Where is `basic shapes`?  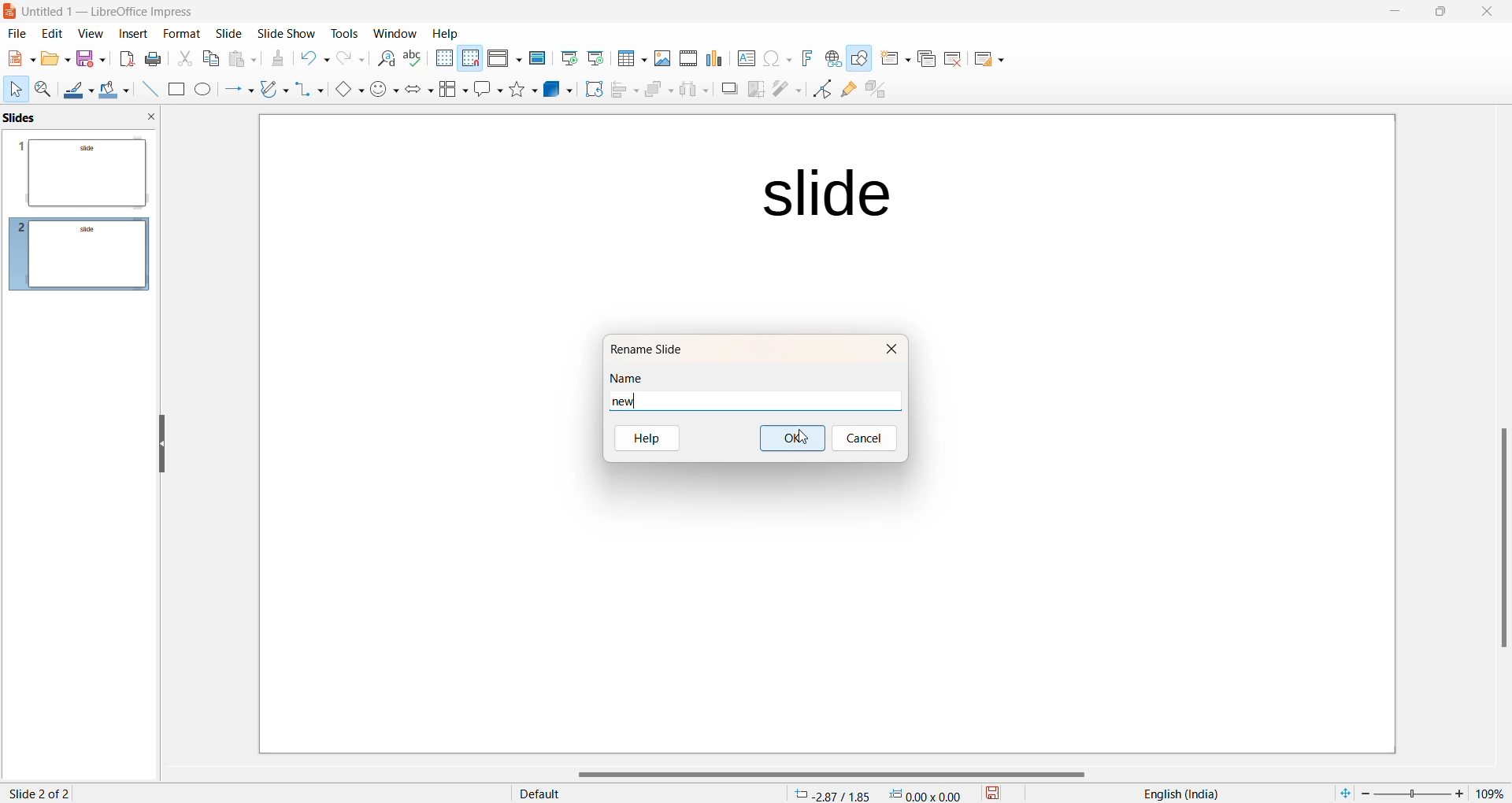 basic shapes is located at coordinates (344, 88).